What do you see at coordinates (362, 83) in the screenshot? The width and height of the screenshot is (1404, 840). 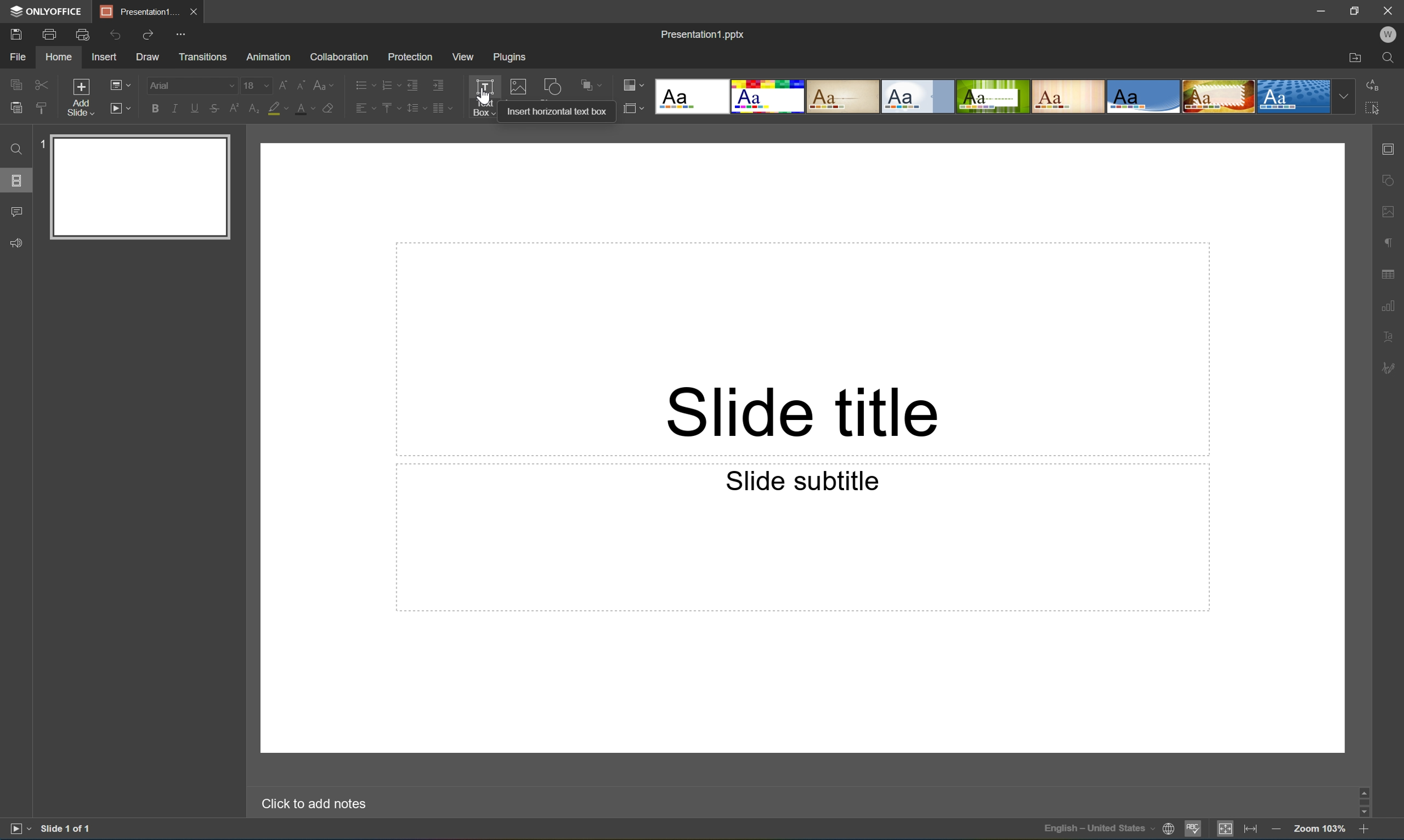 I see `Bullets` at bounding box center [362, 83].